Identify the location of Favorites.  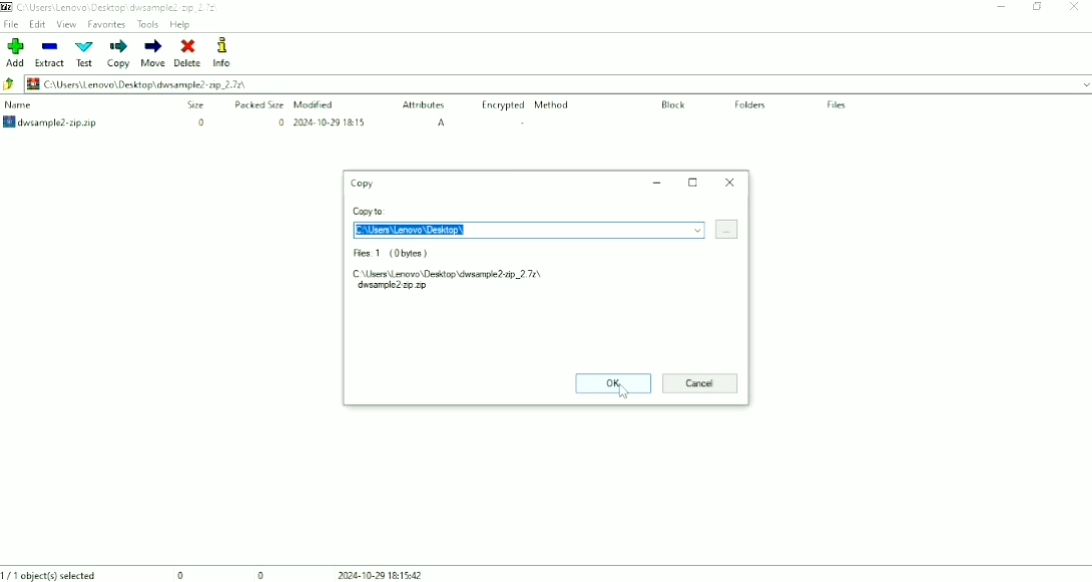
(107, 24).